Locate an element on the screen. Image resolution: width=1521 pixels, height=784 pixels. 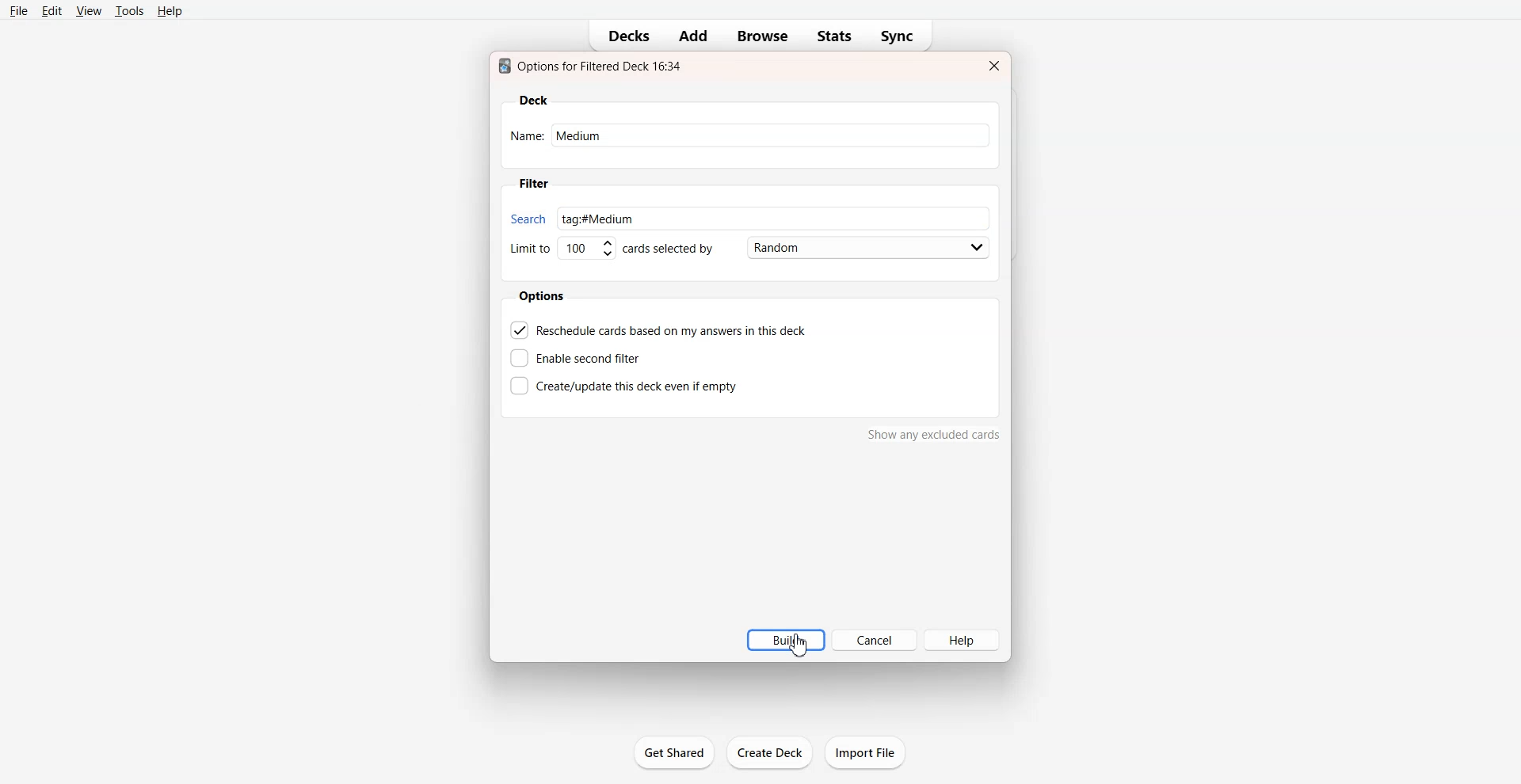
Deck is located at coordinates (534, 101).